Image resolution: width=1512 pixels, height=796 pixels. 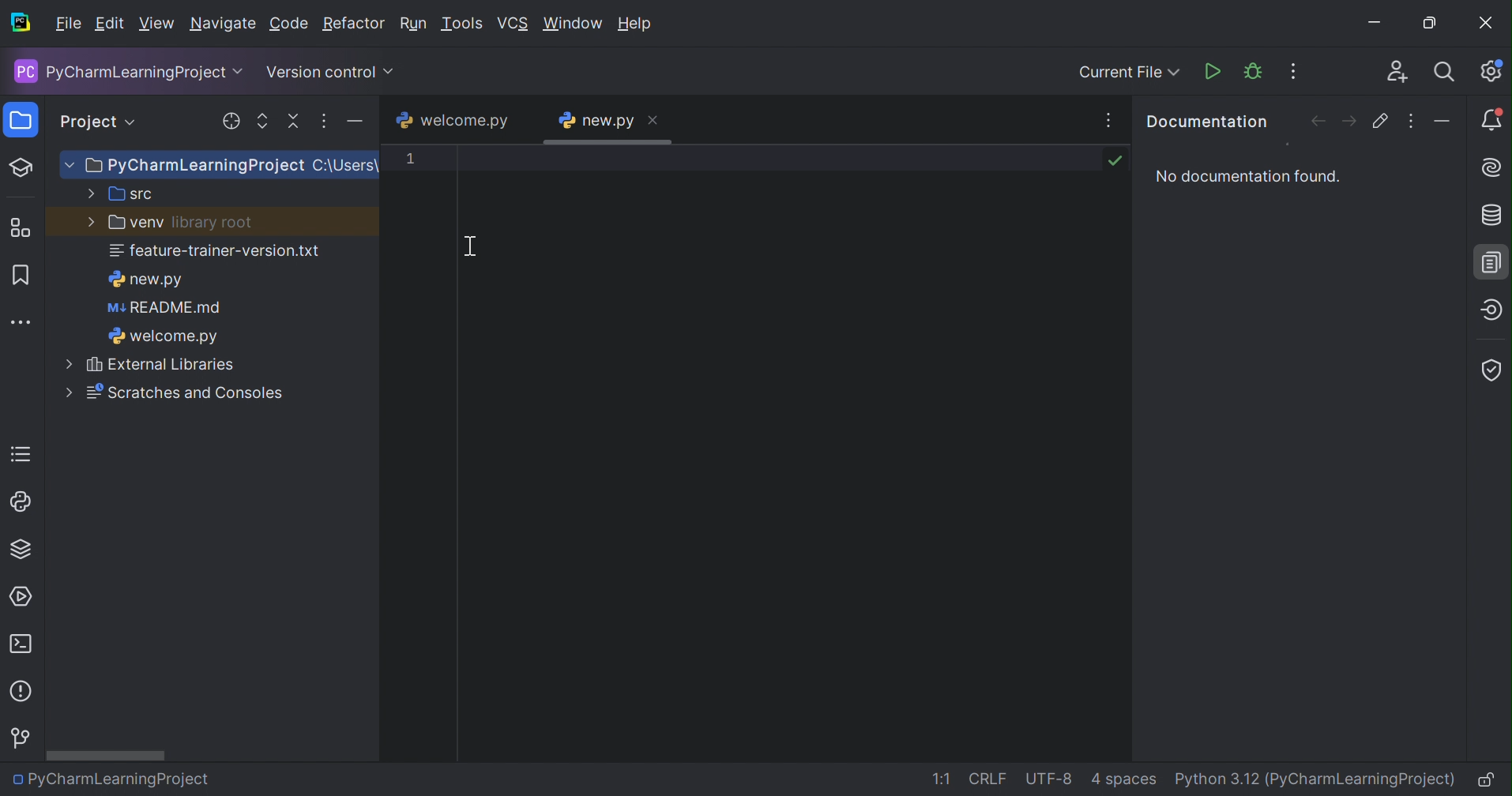 I want to click on Navigate, so click(x=223, y=25).